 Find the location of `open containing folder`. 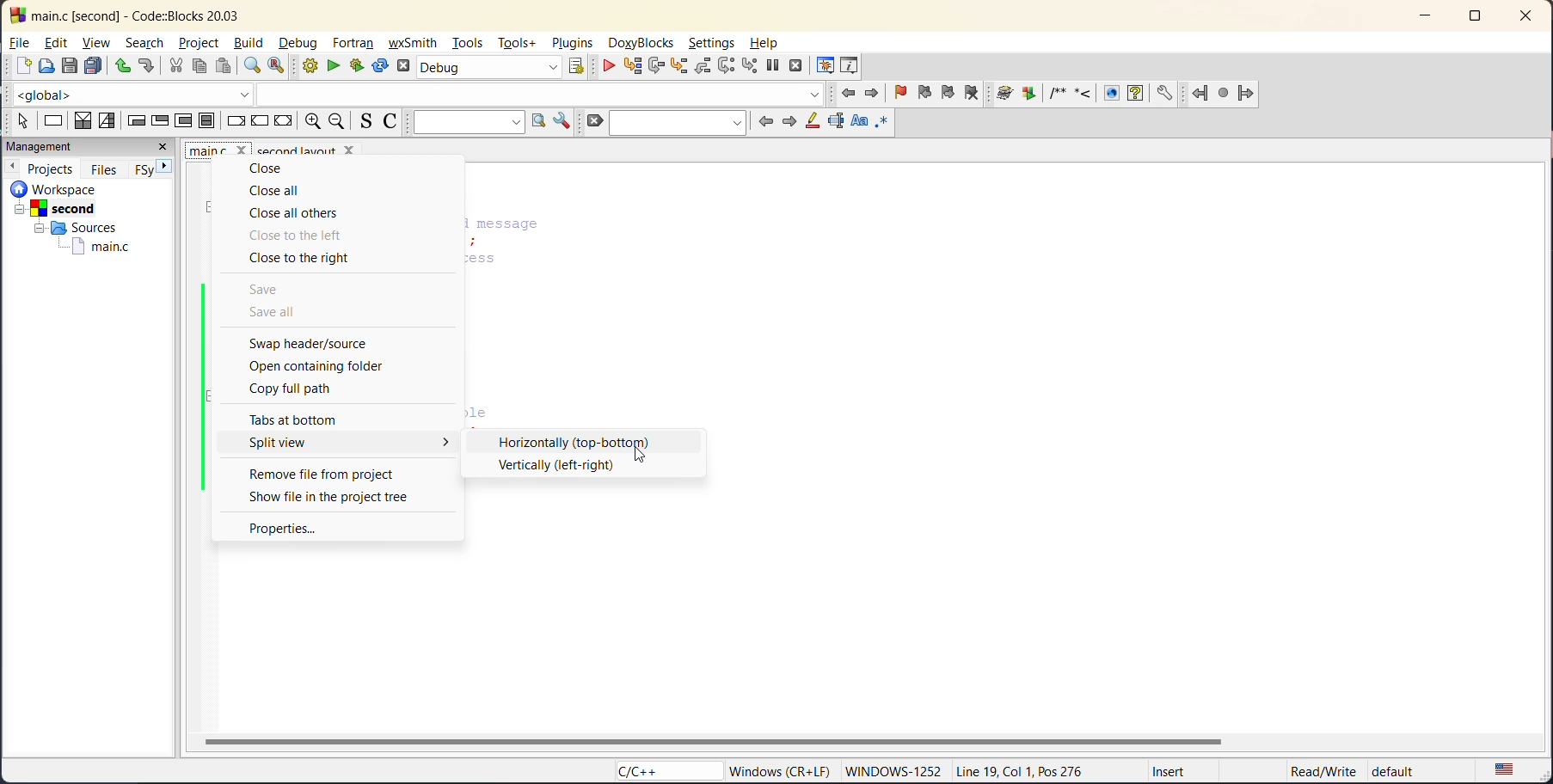

open containing folder is located at coordinates (315, 367).